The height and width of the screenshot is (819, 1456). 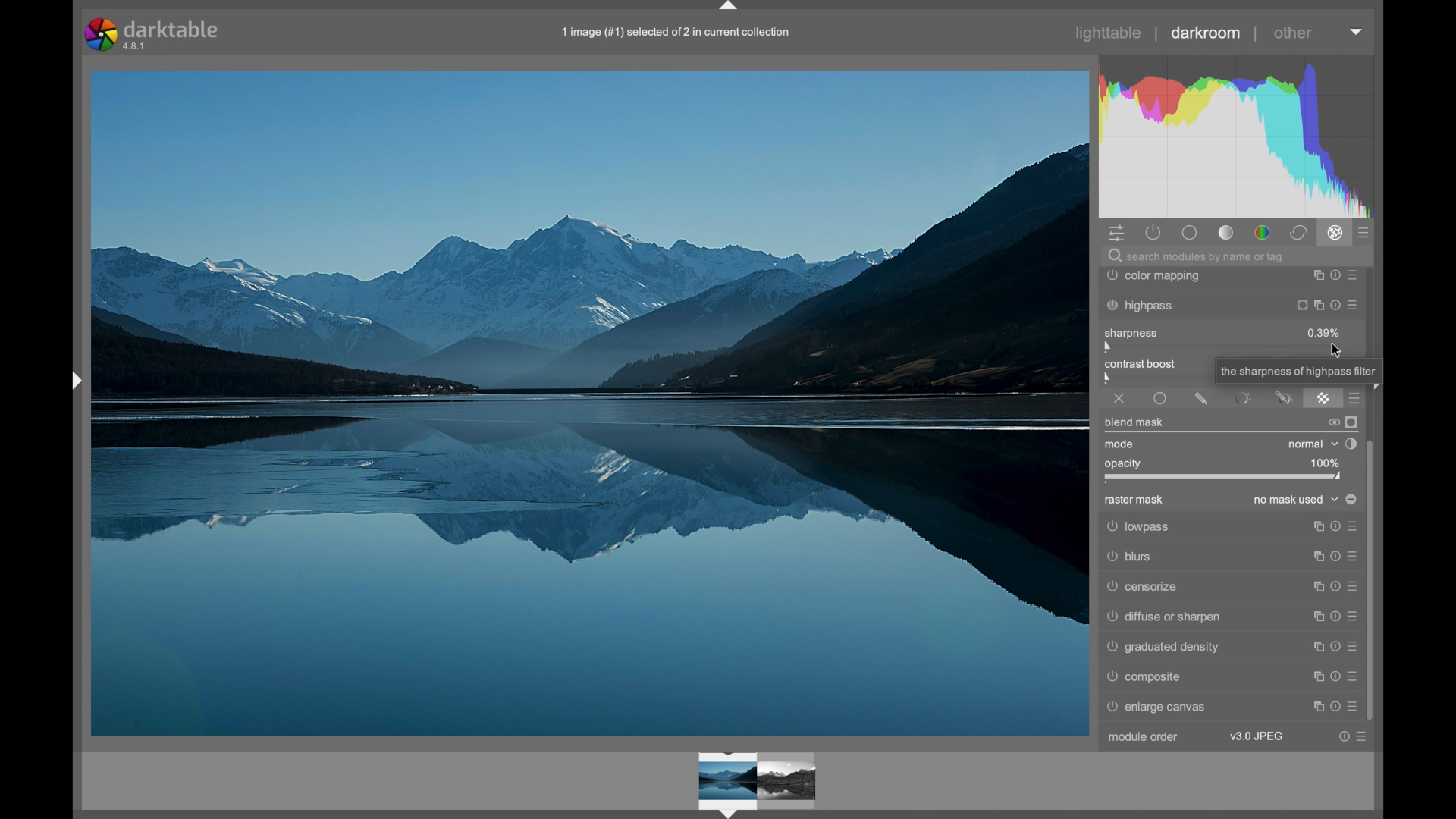 I want to click on composite, so click(x=1143, y=676).